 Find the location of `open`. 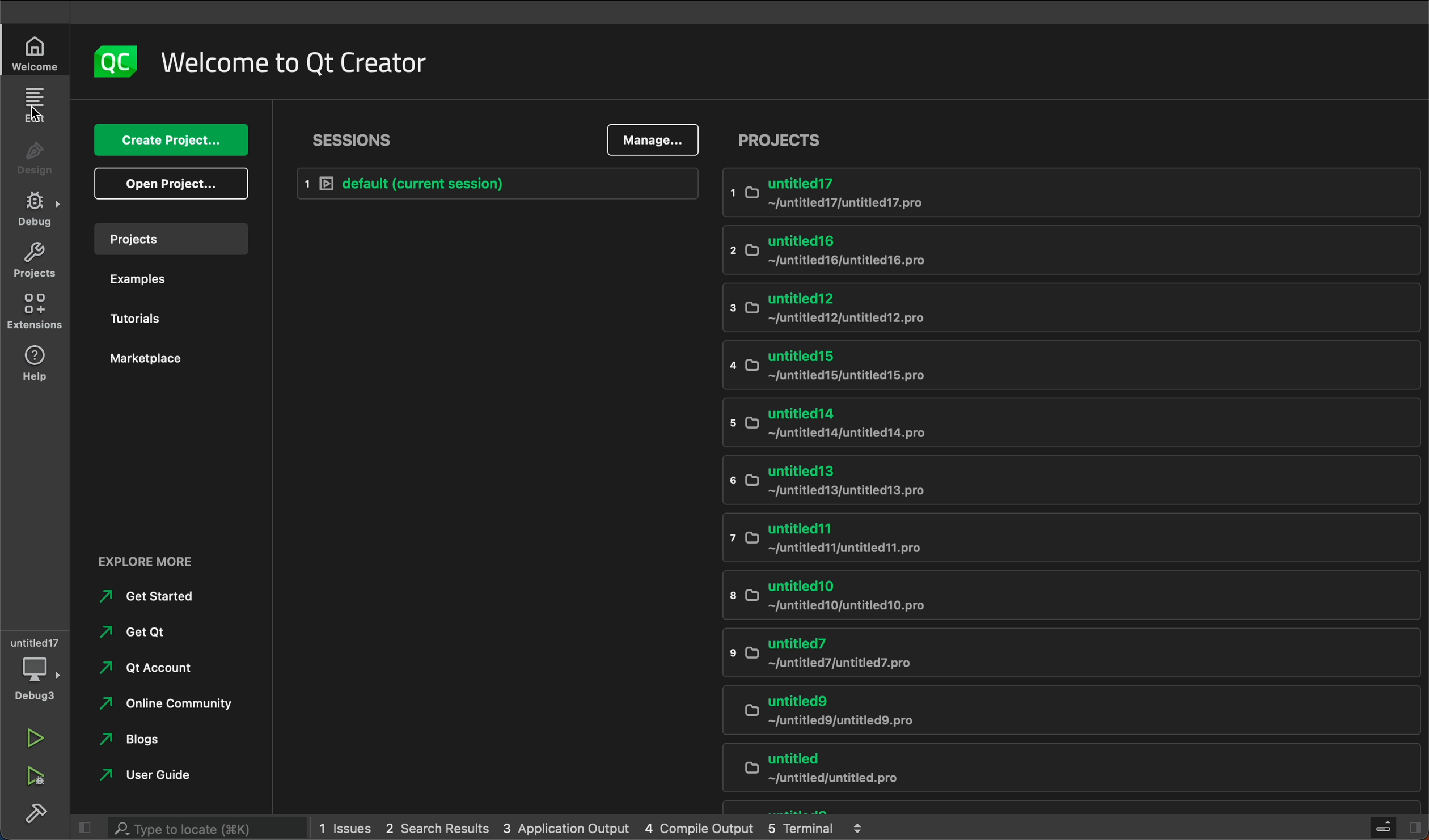

open is located at coordinates (172, 188).